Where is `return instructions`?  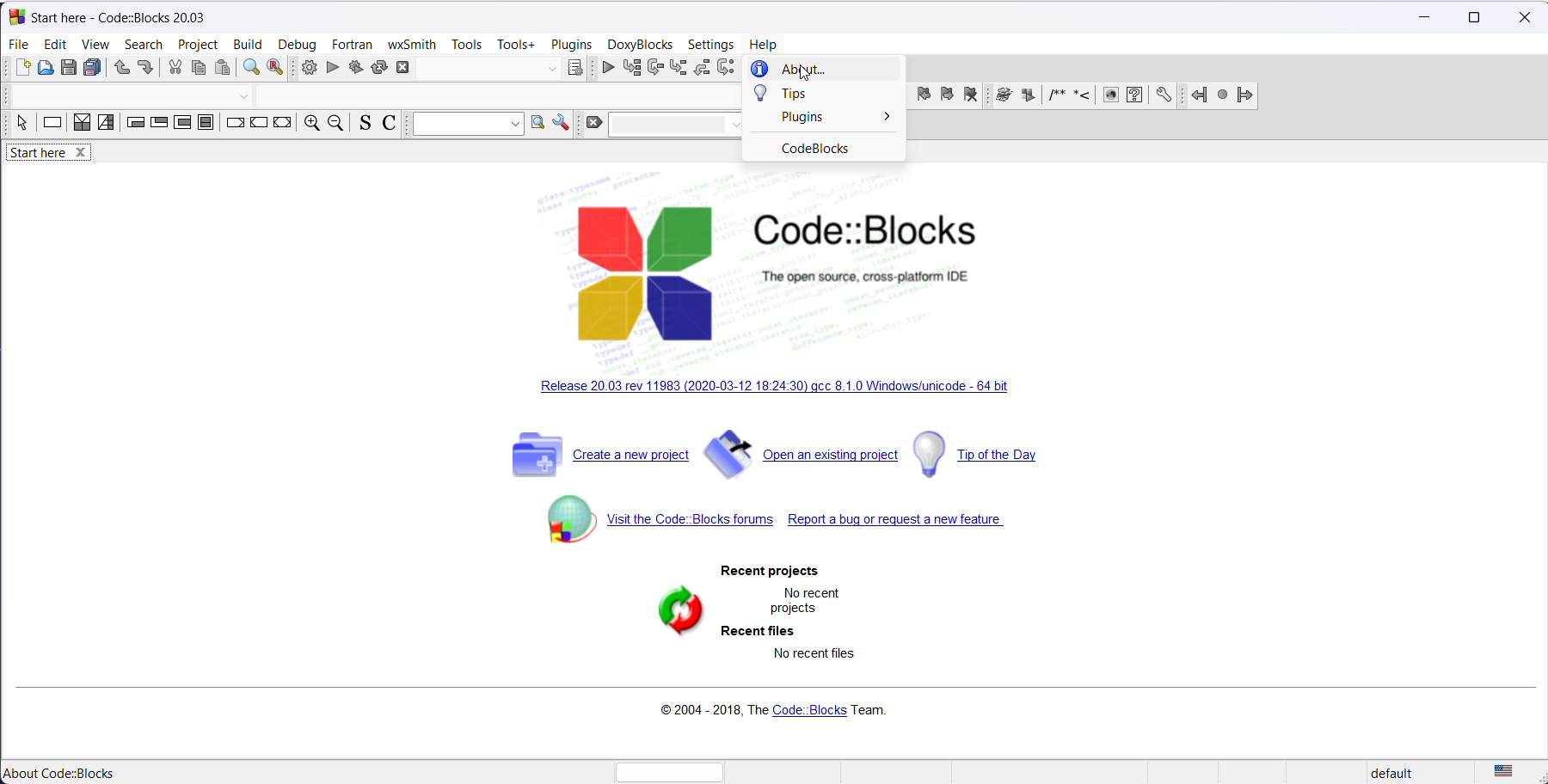
return instructions is located at coordinates (285, 125).